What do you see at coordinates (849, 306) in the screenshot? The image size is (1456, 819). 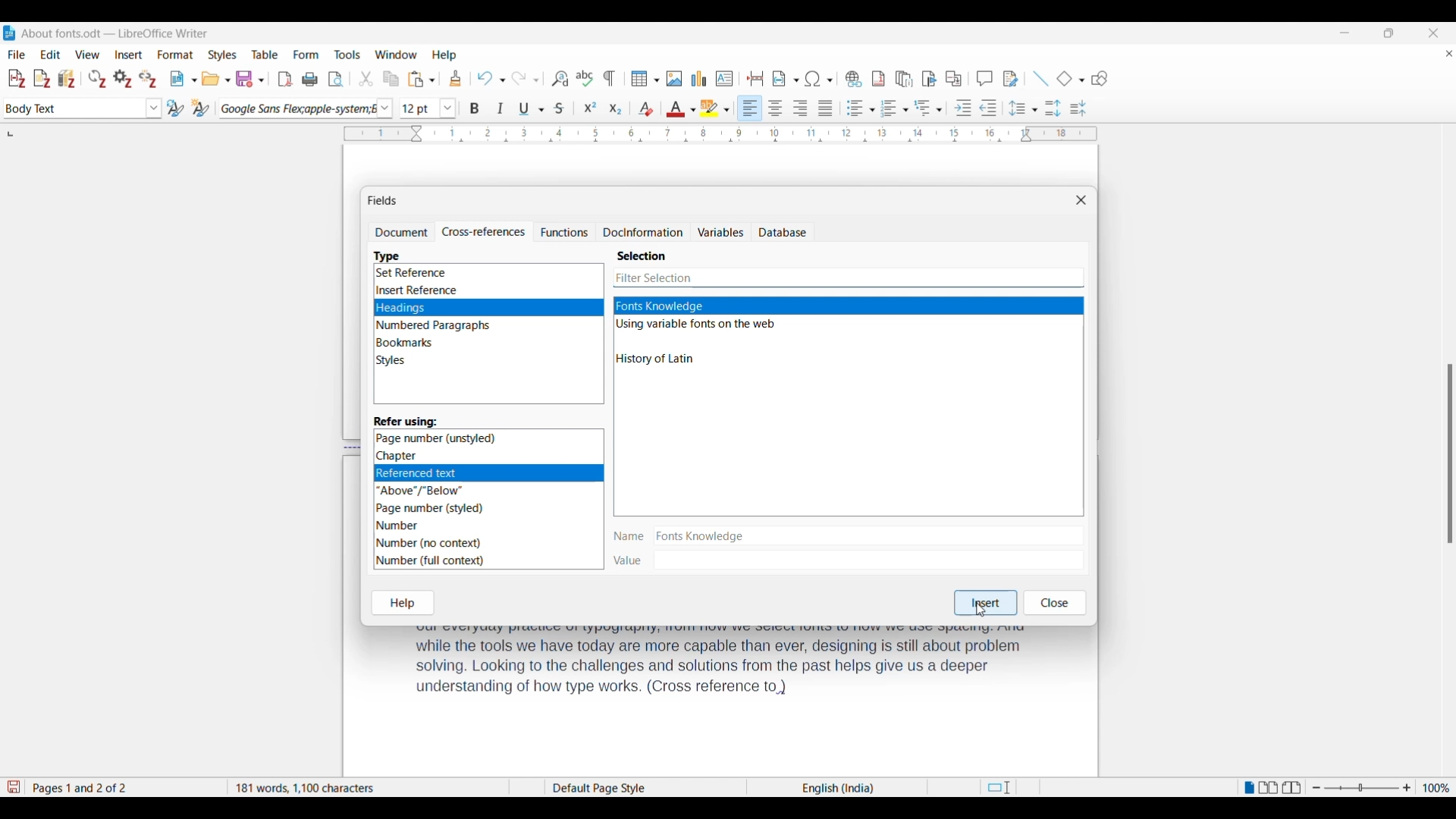 I see `Highllighted as current selection` at bounding box center [849, 306].